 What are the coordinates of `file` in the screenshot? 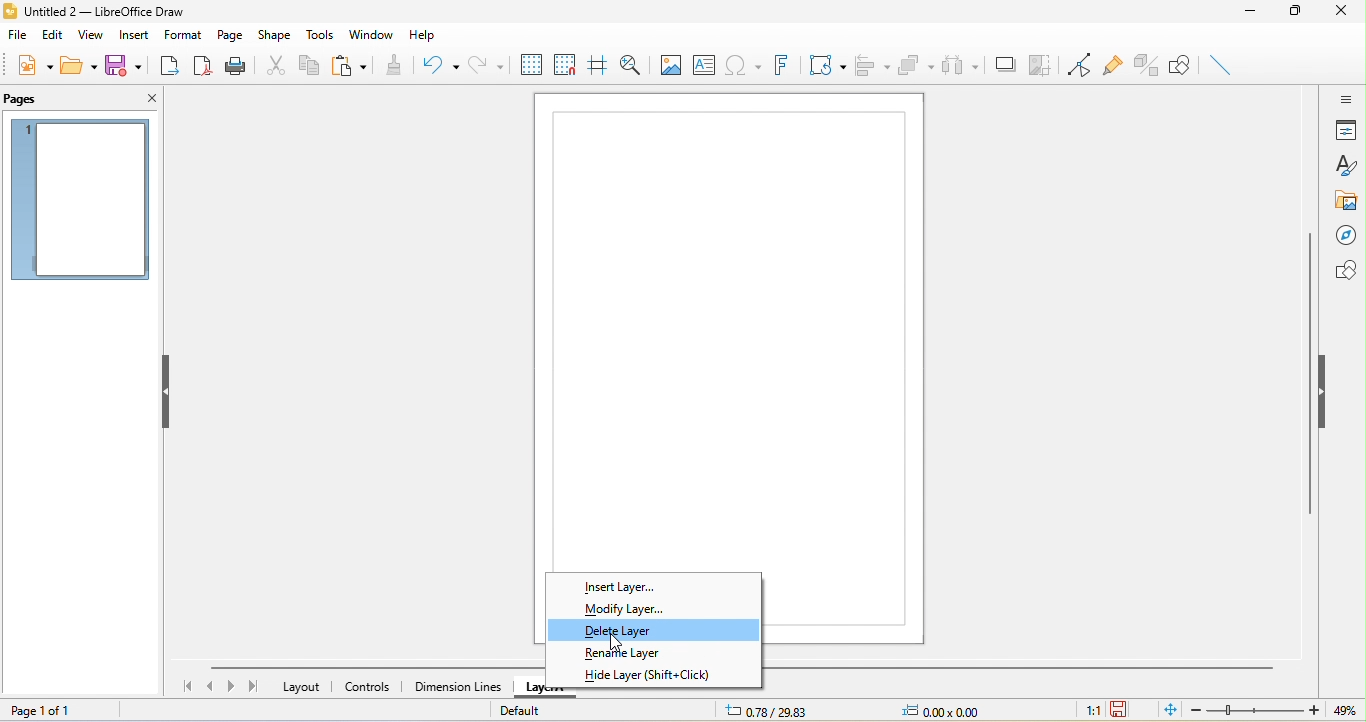 It's located at (19, 33).